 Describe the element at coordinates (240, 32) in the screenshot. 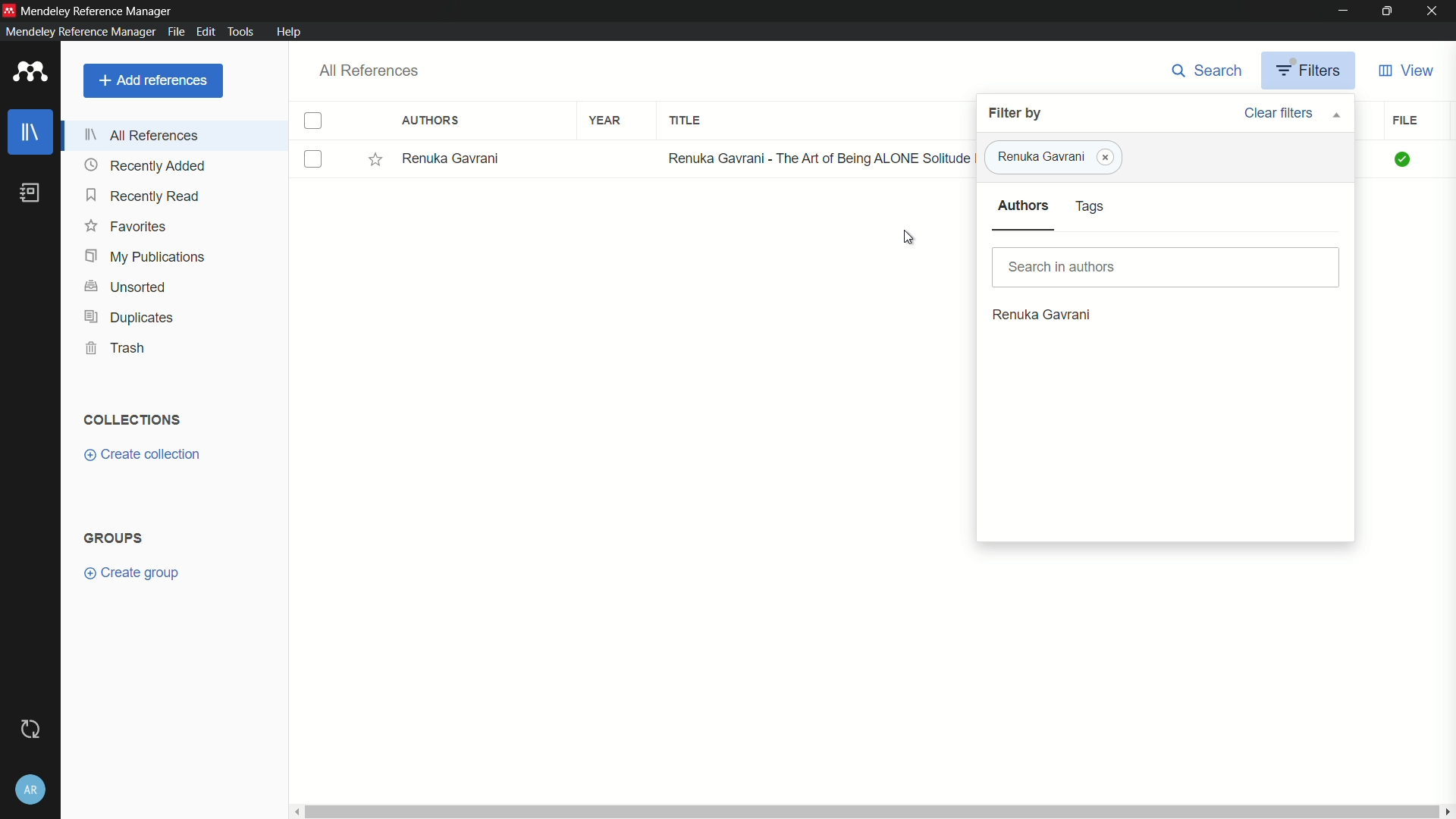

I see `tools menu` at that location.